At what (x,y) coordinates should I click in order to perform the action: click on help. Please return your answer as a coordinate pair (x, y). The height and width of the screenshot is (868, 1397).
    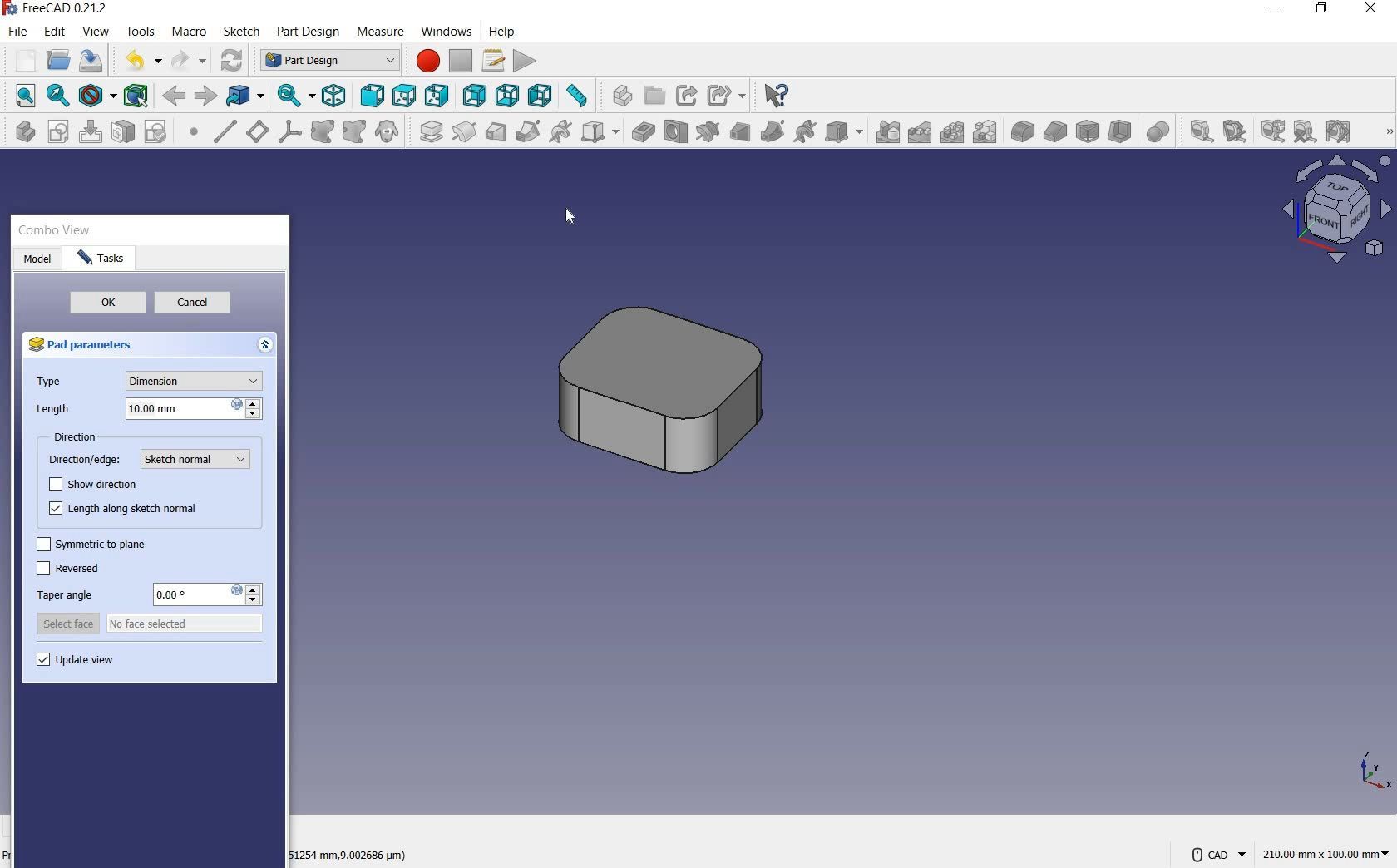
    Looking at the image, I should click on (504, 31).